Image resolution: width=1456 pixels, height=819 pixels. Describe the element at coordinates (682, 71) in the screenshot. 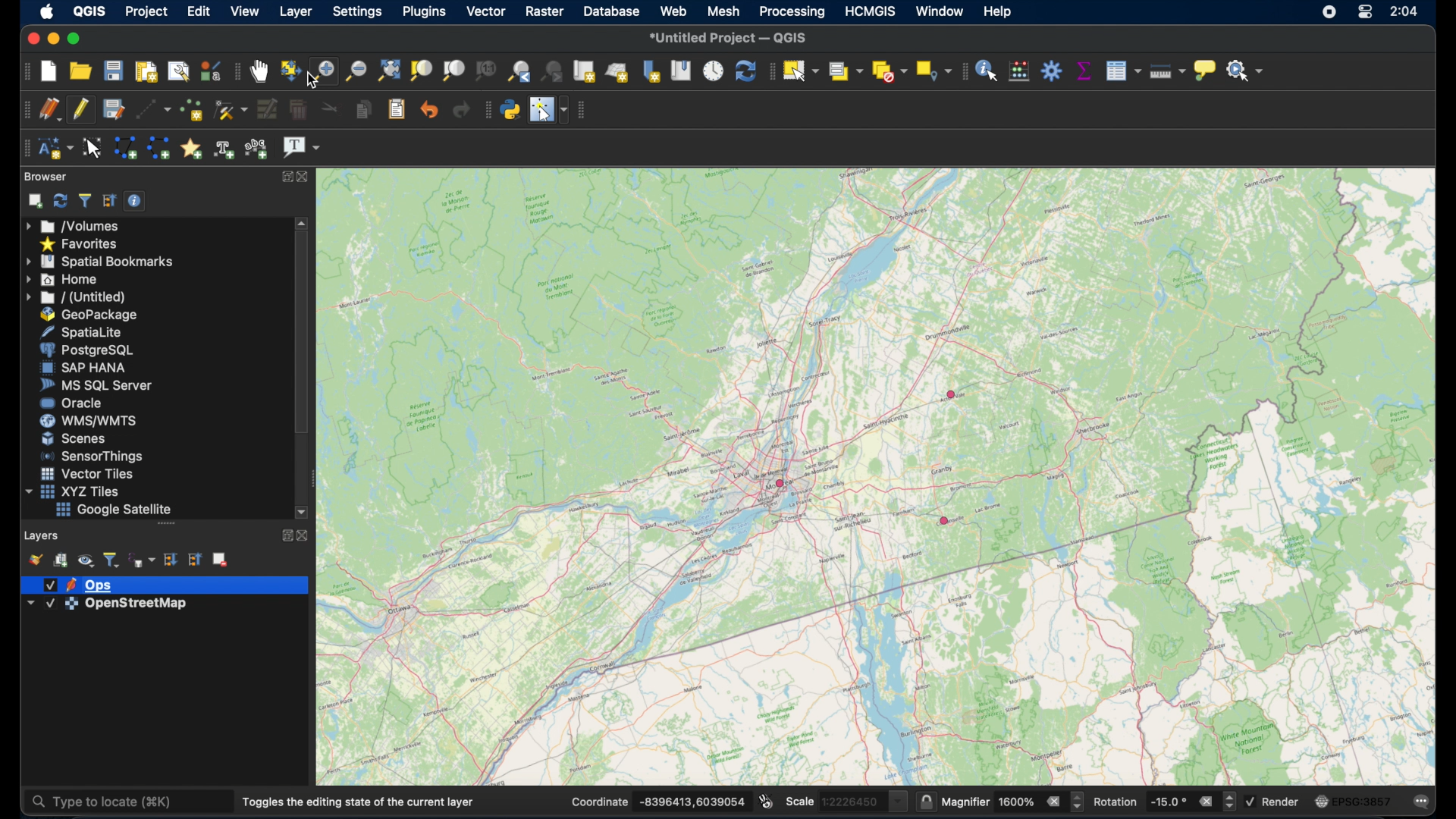

I see `show spatial bookmarks` at that location.